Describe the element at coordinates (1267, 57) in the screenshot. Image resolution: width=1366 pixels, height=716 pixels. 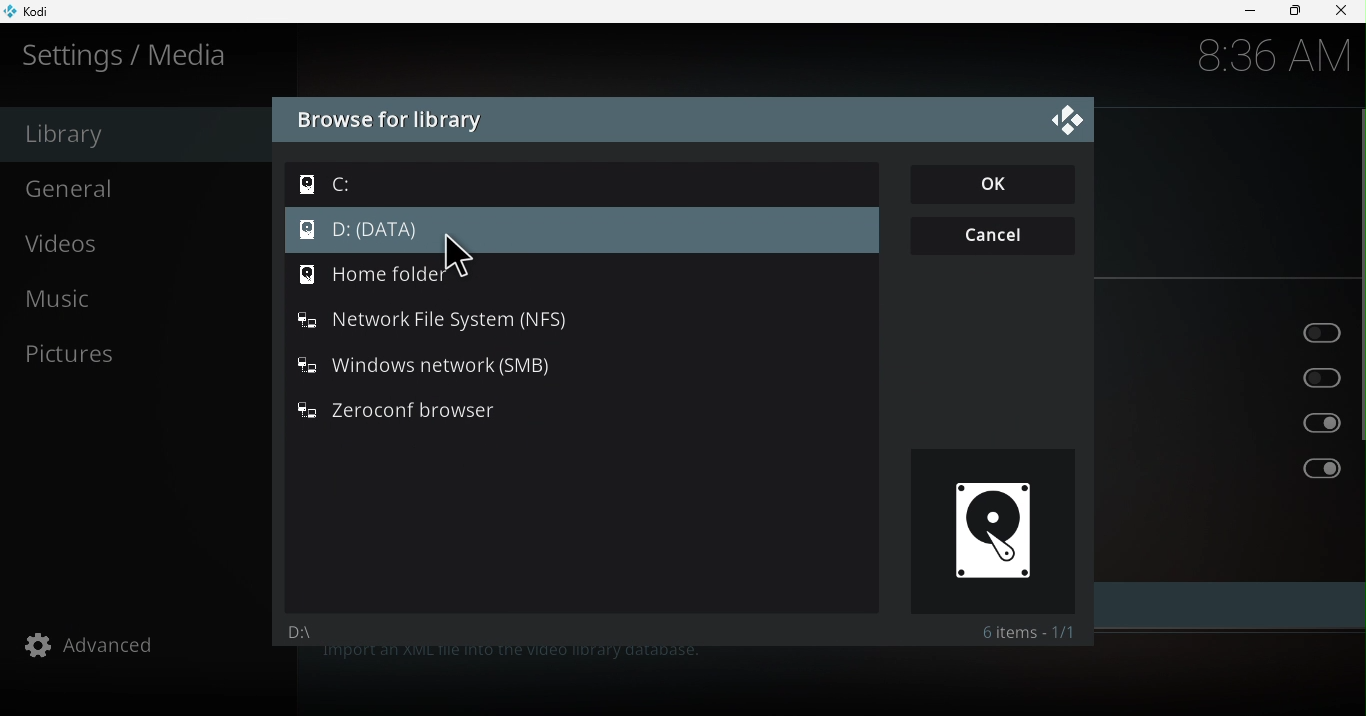
I see `8:36 AM` at that location.